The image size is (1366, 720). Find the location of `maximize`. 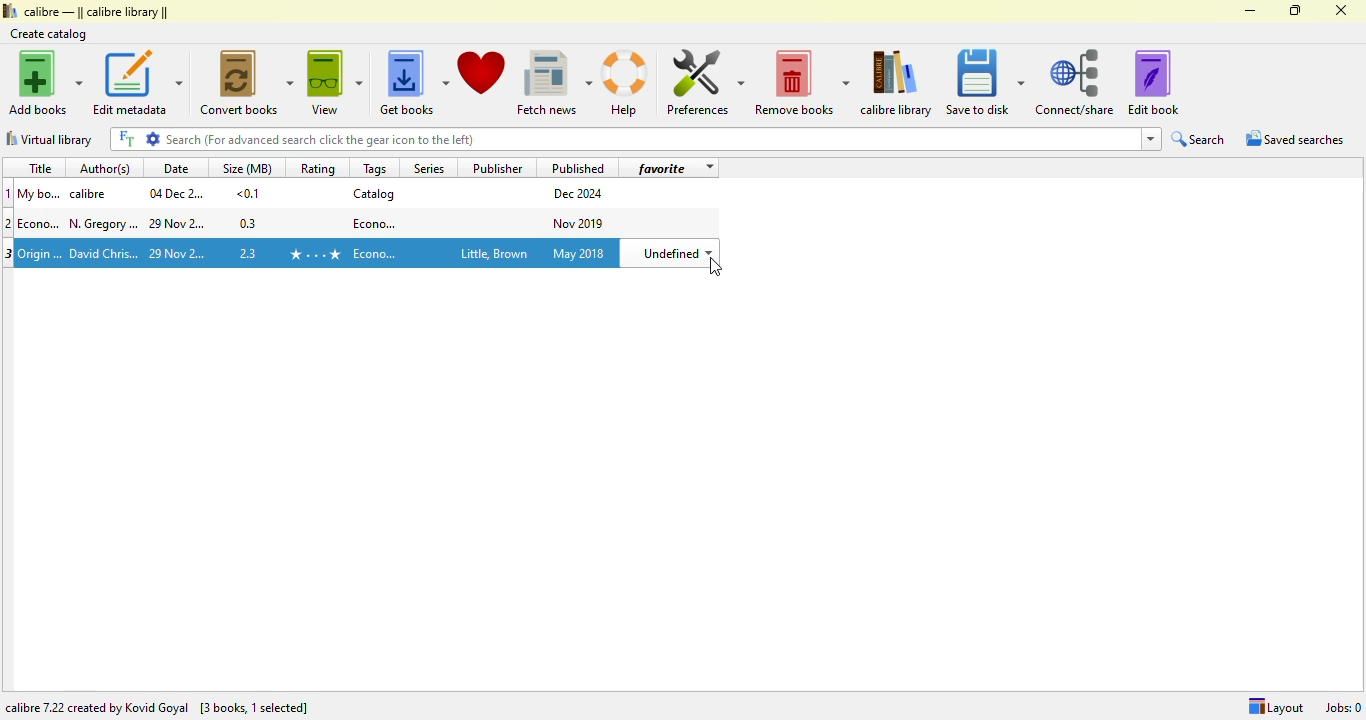

maximize is located at coordinates (1296, 10).